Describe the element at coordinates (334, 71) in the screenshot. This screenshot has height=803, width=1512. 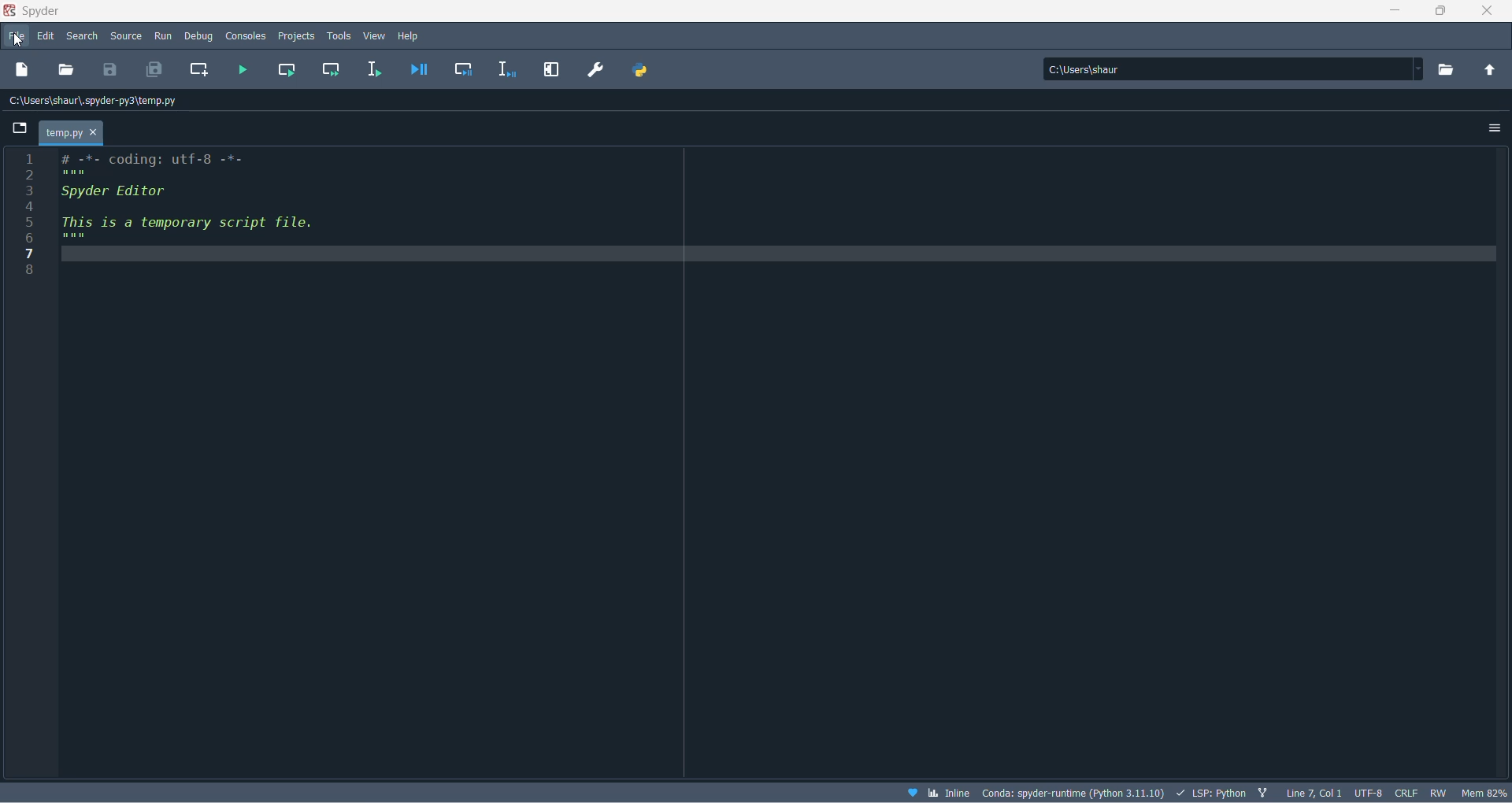
I see `run current cell` at that location.